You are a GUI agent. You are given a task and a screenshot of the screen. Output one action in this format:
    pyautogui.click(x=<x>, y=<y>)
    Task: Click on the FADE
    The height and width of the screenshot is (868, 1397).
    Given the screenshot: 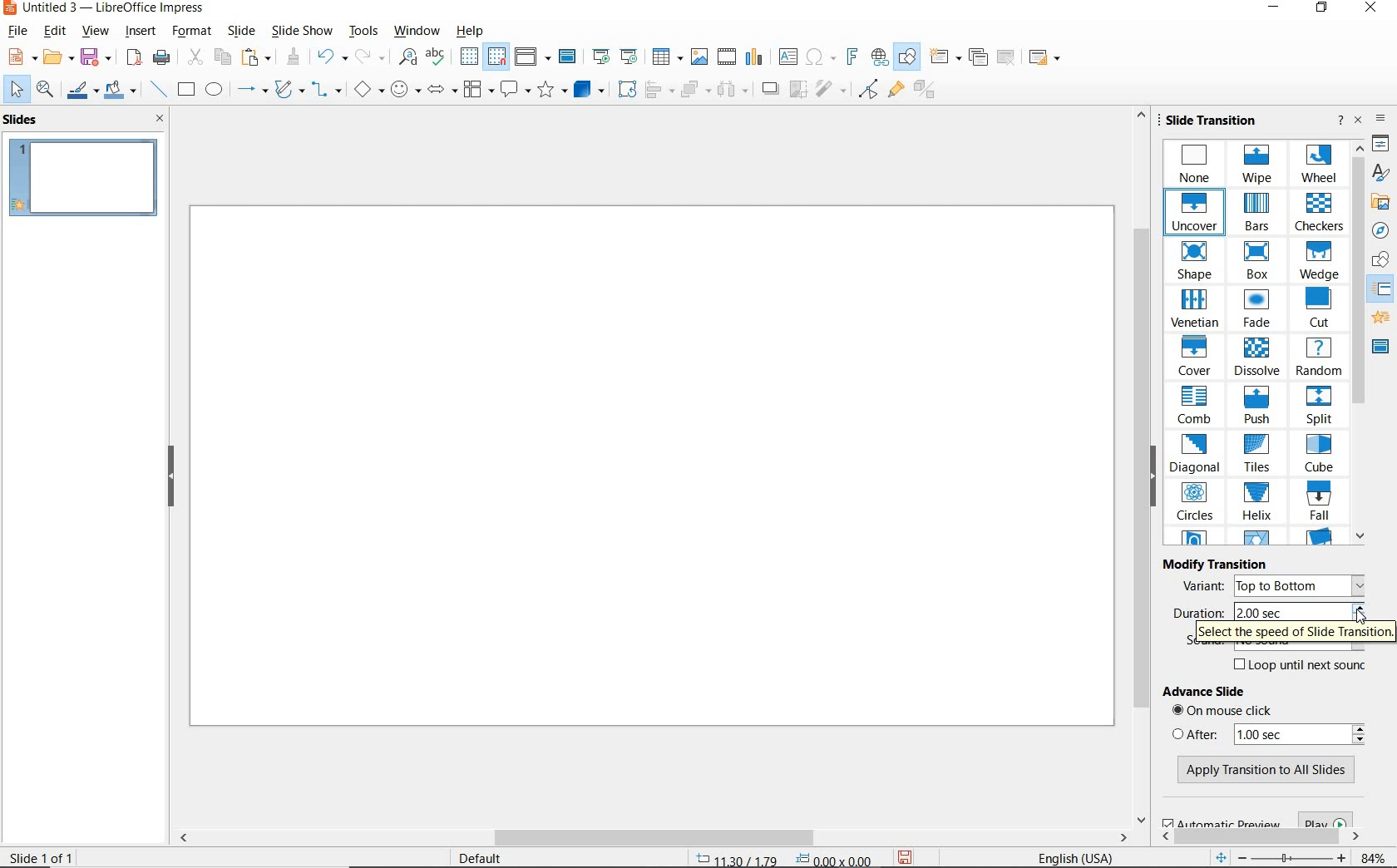 What is the action you would take?
    pyautogui.click(x=1256, y=310)
    